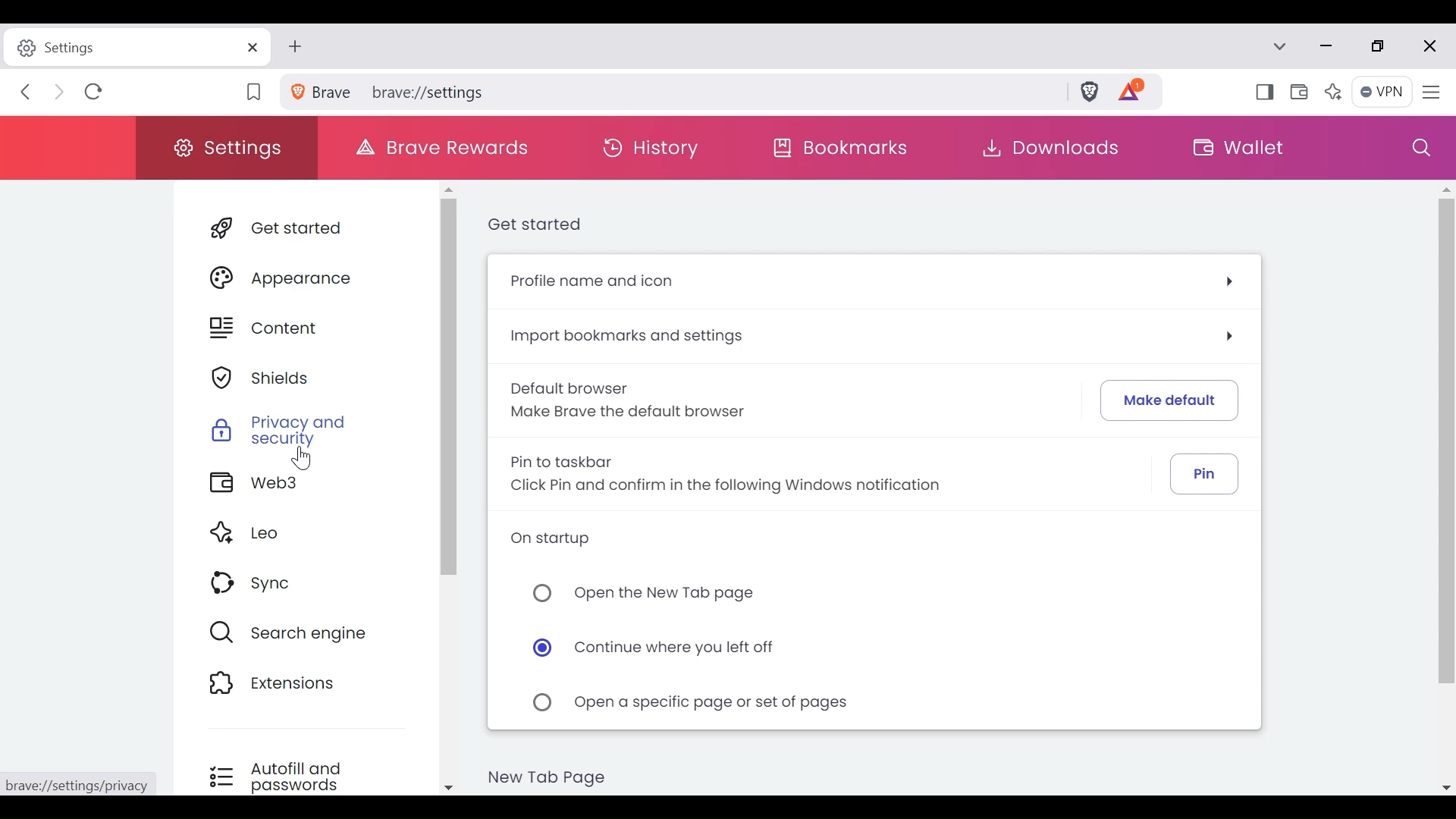 Image resolution: width=1456 pixels, height=819 pixels. Describe the element at coordinates (1385, 48) in the screenshot. I see `restore` at that location.